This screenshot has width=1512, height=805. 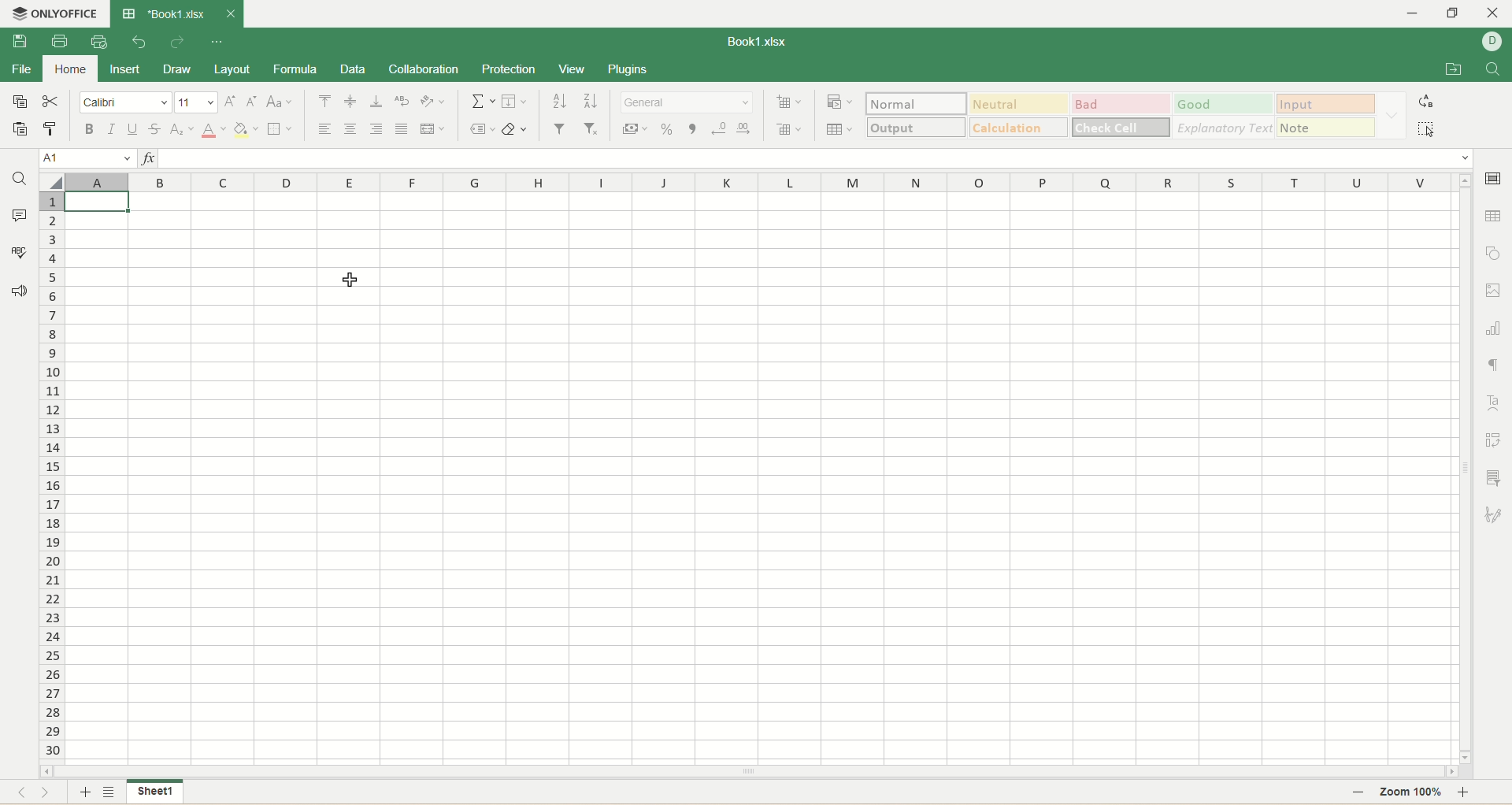 I want to click on decrease decimal, so click(x=717, y=128).